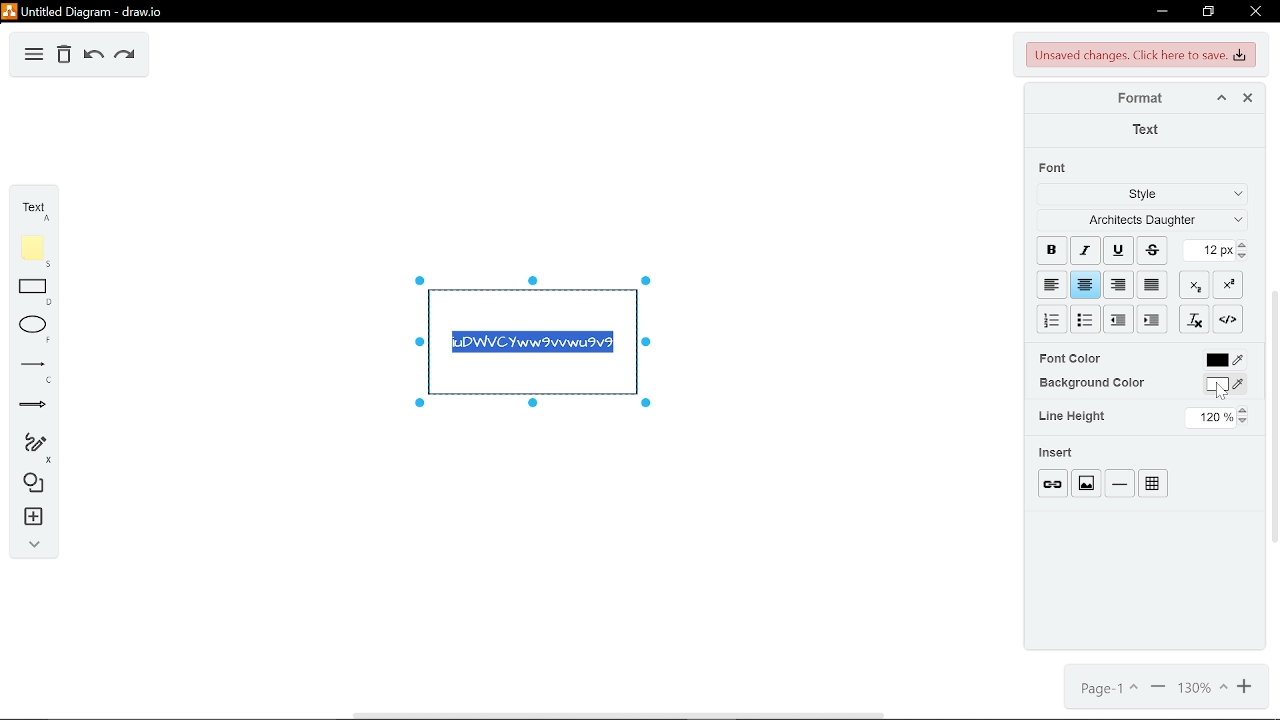 This screenshot has height=720, width=1280. Describe the element at coordinates (1119, 320) in the screenshot. I see `increase indent` at that location.